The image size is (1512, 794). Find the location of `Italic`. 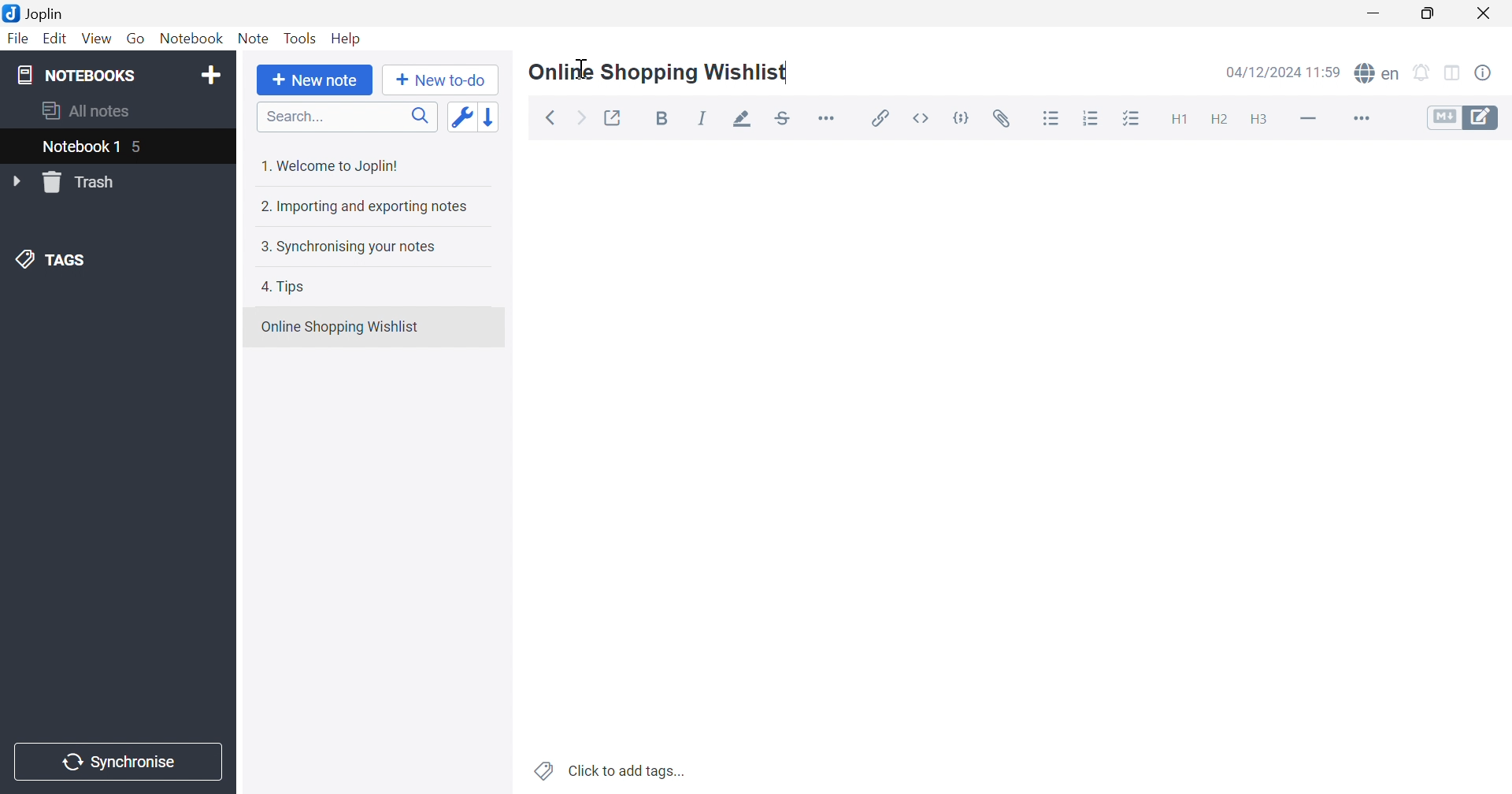

Italic is located at coordinates (702, 118).